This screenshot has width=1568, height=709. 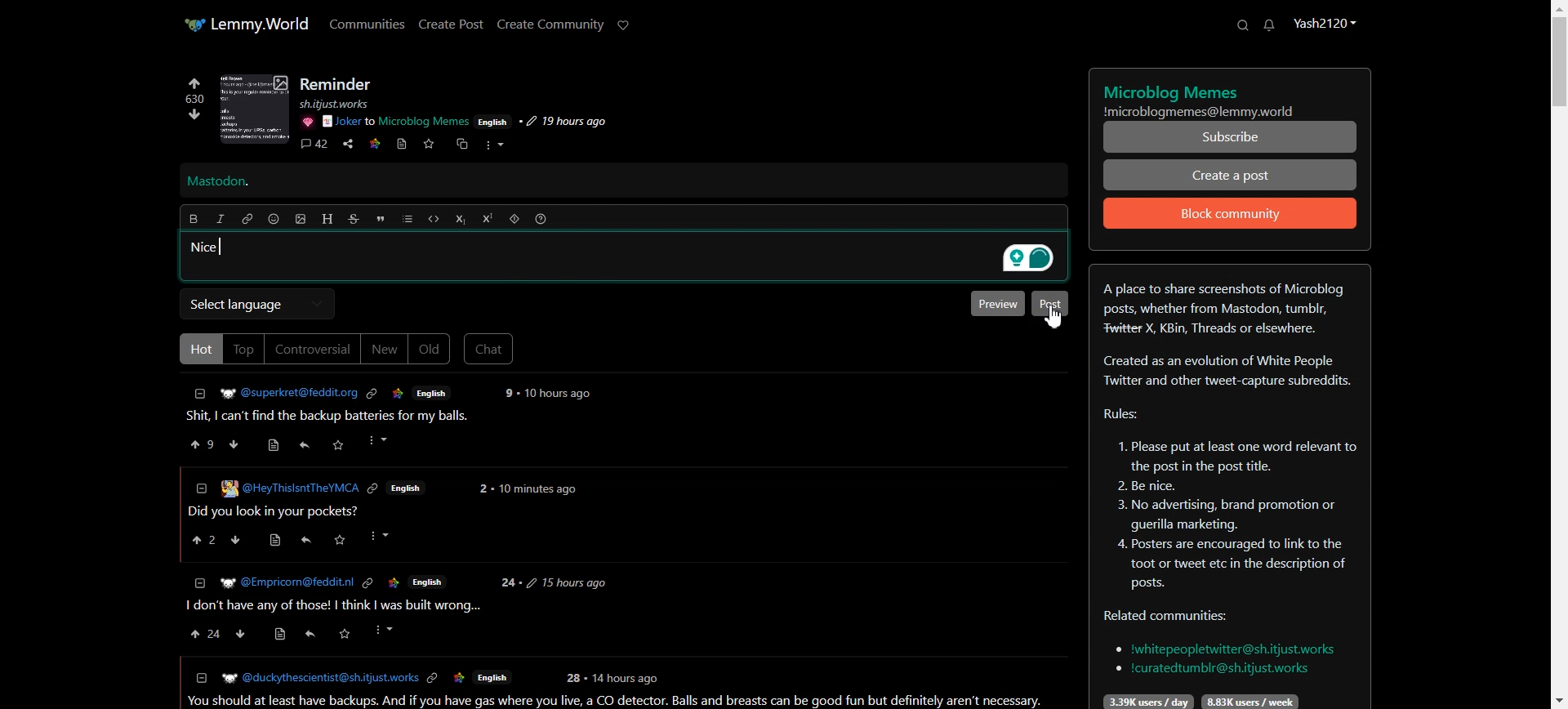 What do you see at coordinates (200, 486) in the screenshot?
I see `®` at bounding box center [200, 486].